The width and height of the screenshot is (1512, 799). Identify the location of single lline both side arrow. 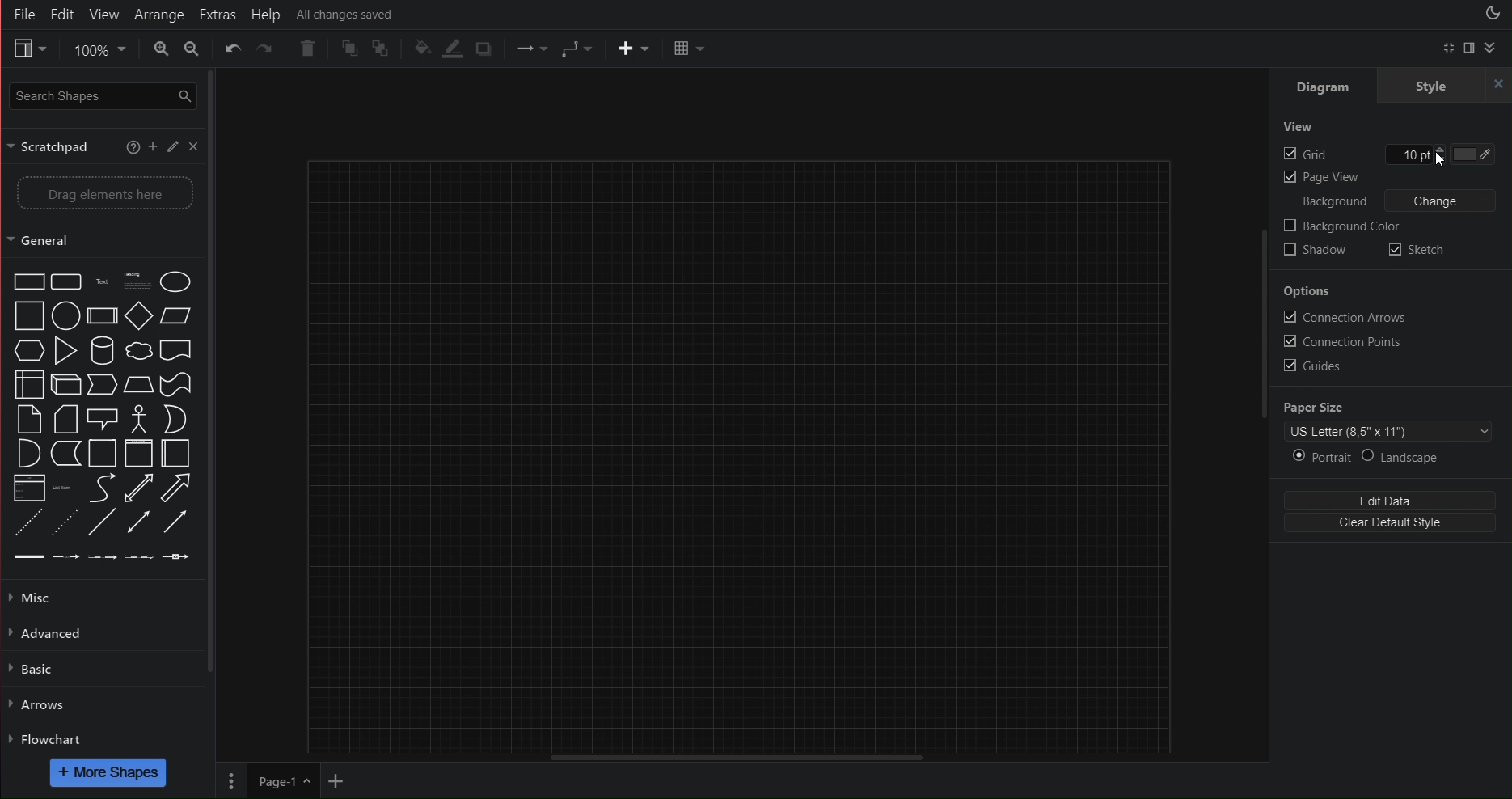
(137, 522).